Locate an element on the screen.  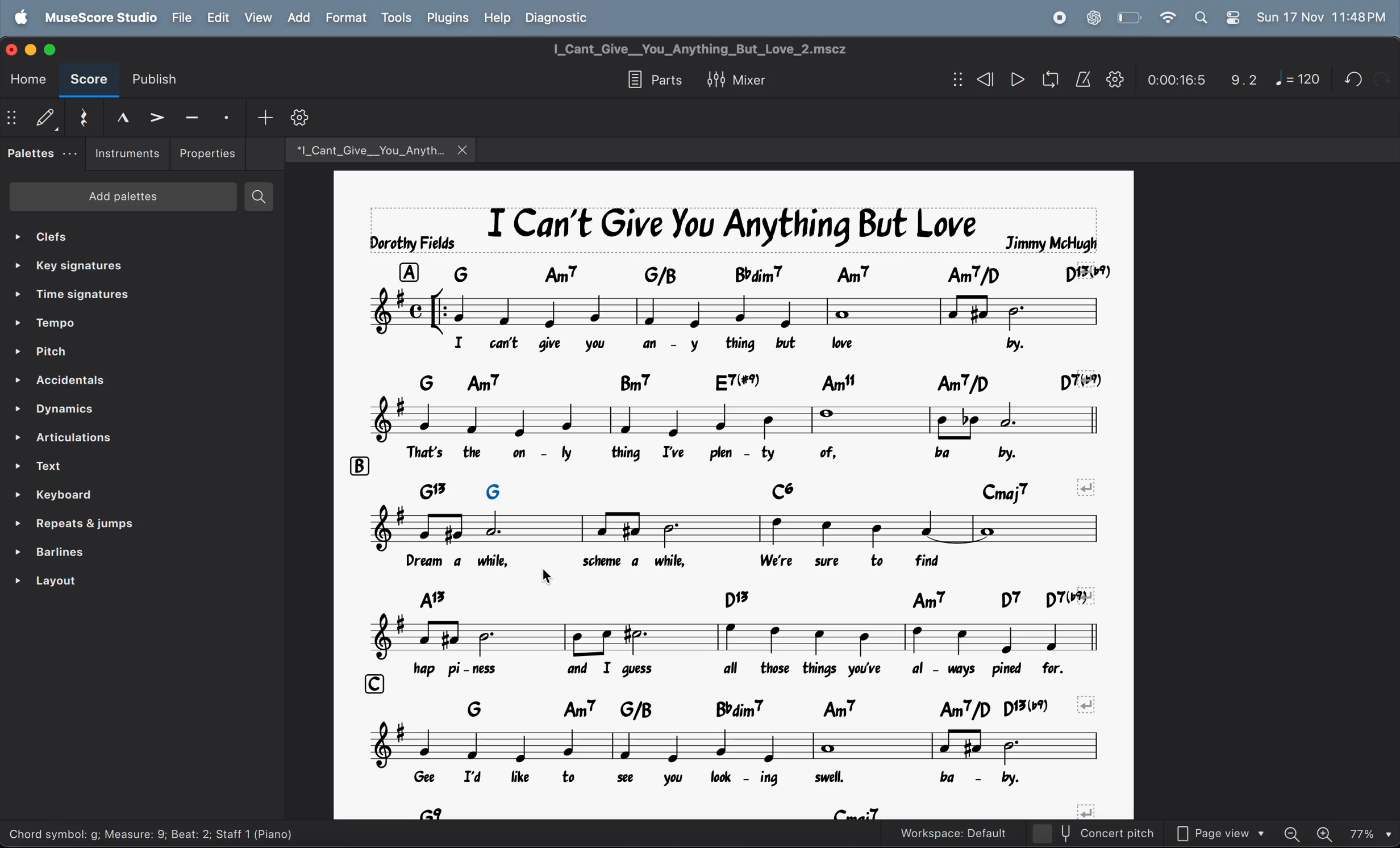
properties is located at coordinates (210, 153).